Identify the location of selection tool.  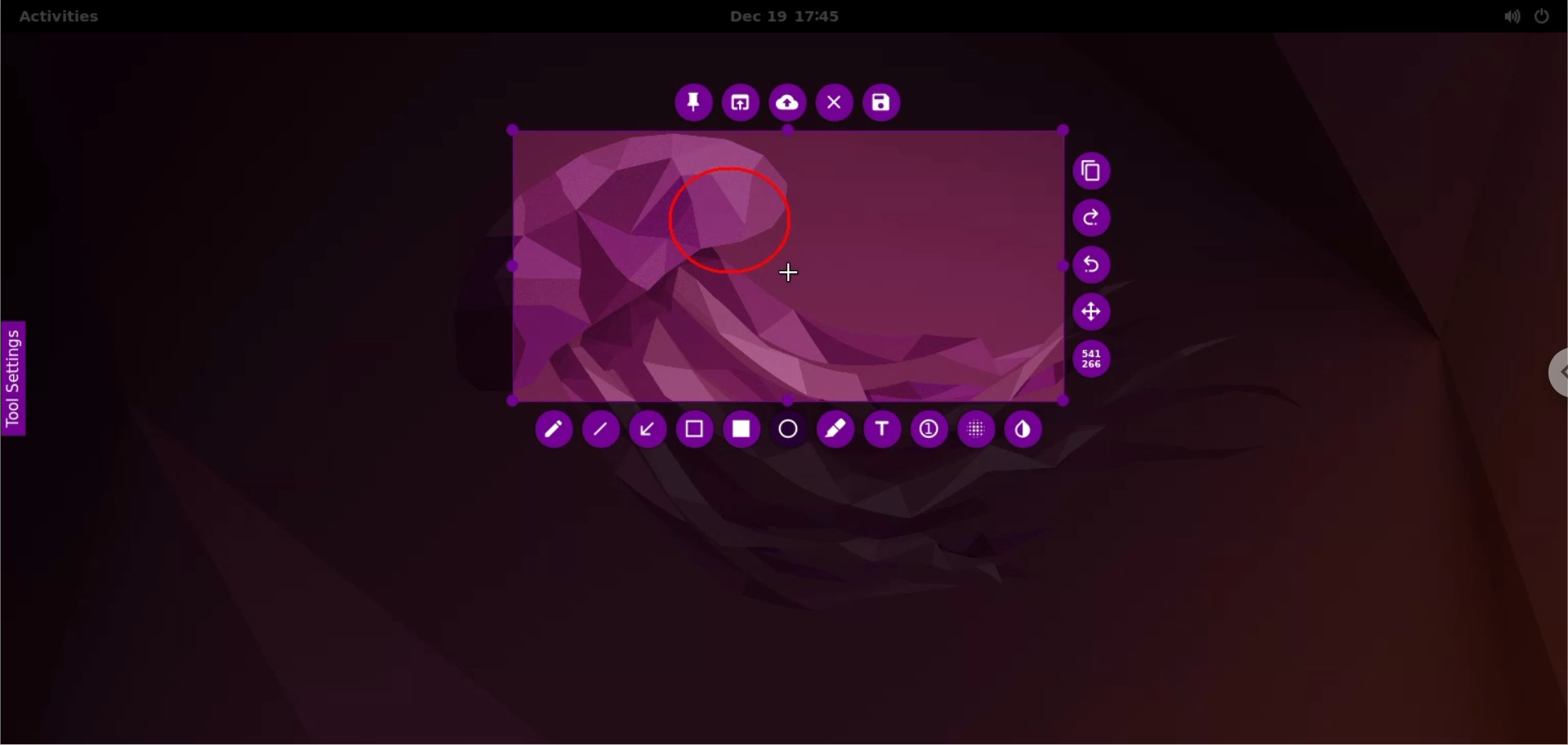
(697, 431).